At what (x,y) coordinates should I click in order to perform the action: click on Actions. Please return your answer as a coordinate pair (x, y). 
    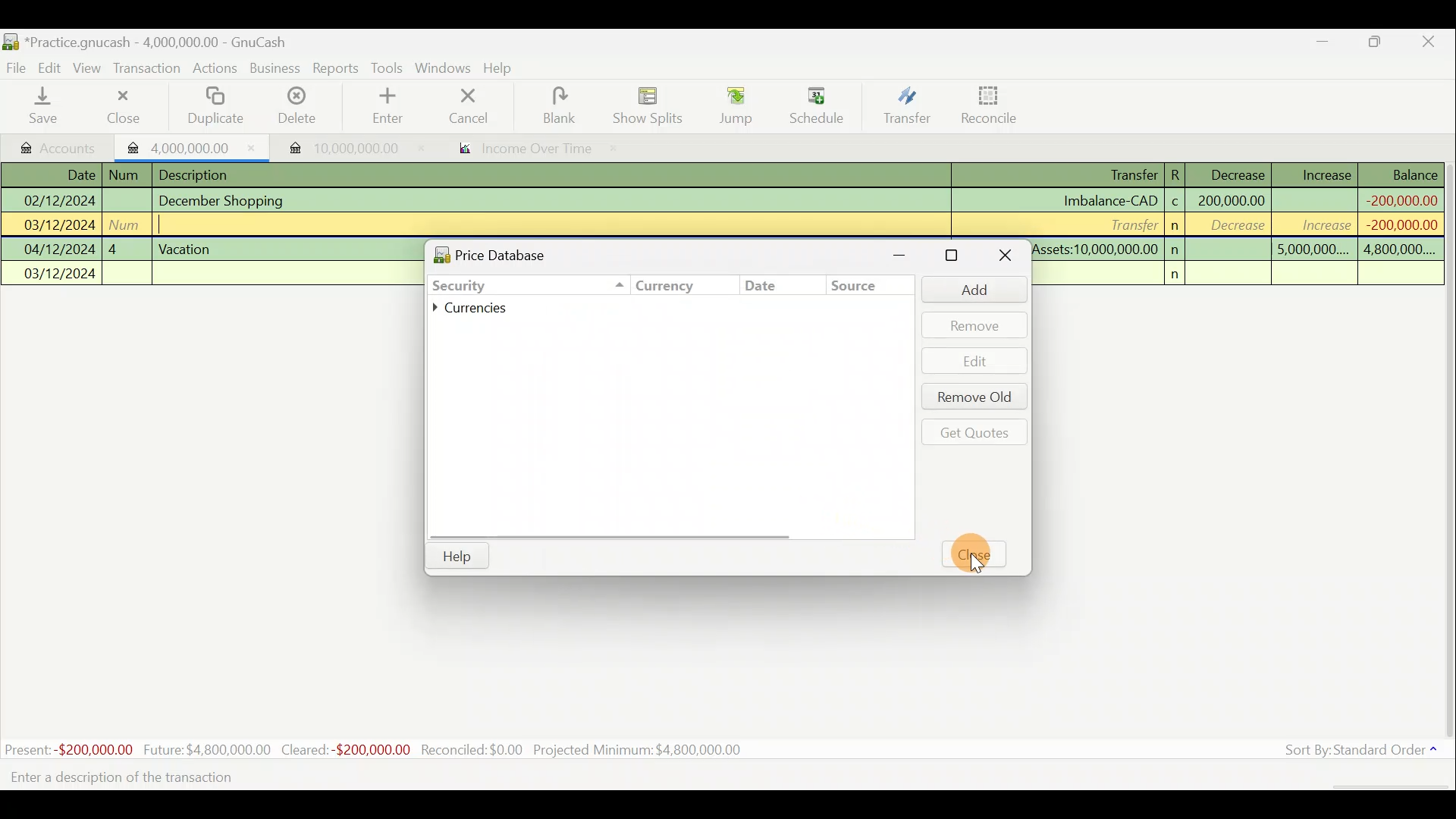
    Looking at the image, I should click on (217, 69).